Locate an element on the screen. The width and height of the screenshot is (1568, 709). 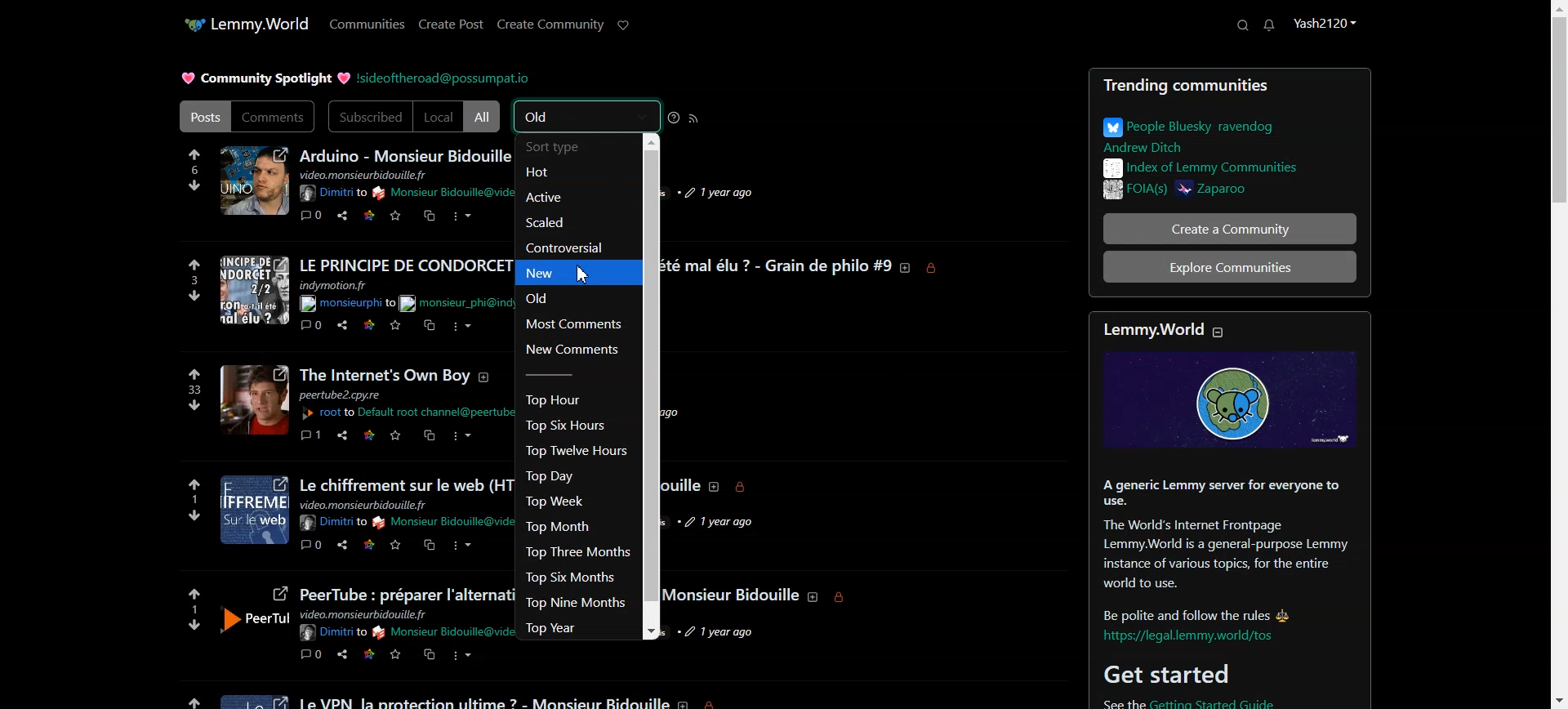
Post is located at coordinates (203, 116).